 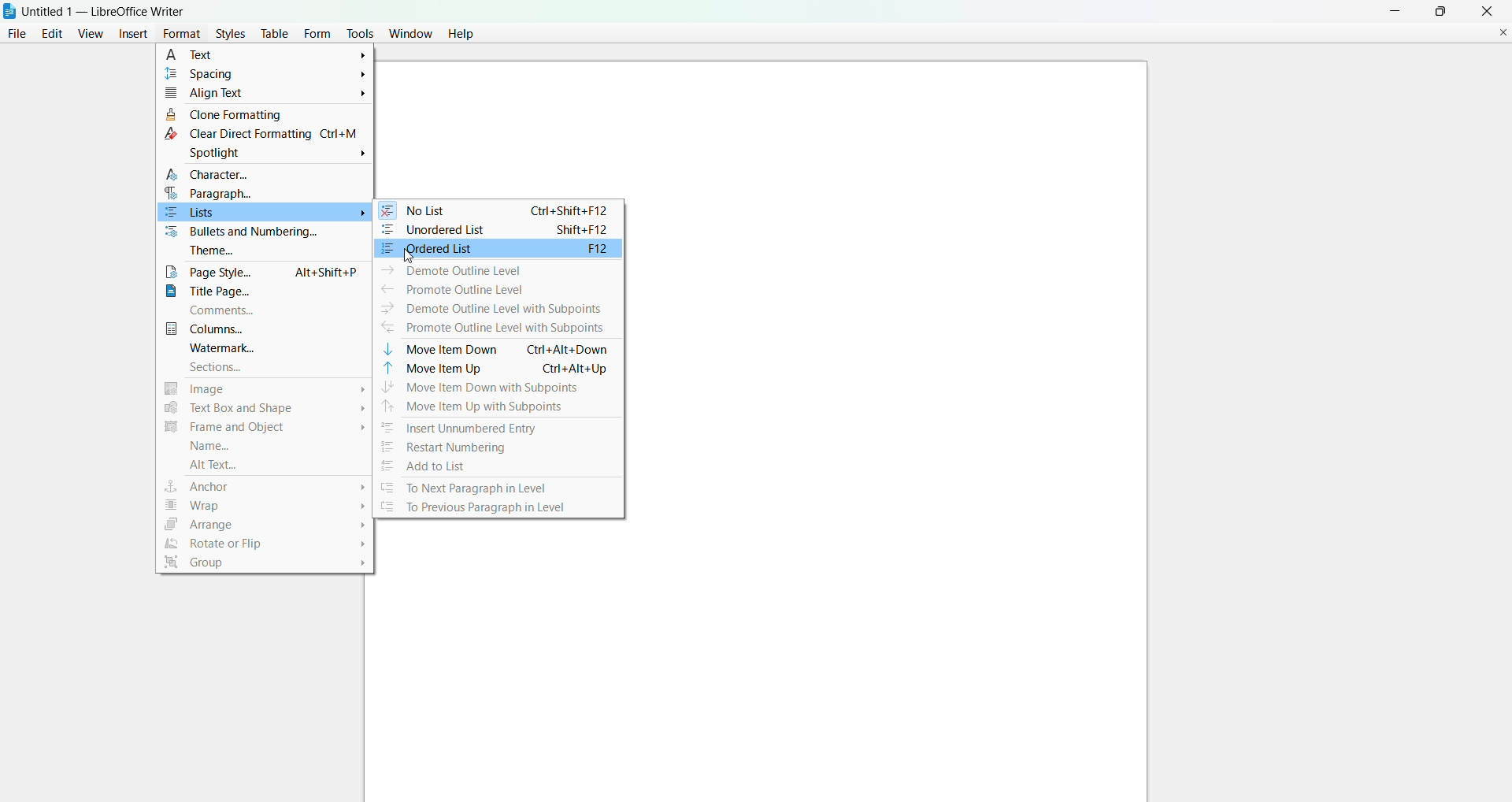 What do you see at coordinates (495, 350) in the screenshot?
I see `move item down  Ctrl+Alt+Down` at bounding box center [495, 350].